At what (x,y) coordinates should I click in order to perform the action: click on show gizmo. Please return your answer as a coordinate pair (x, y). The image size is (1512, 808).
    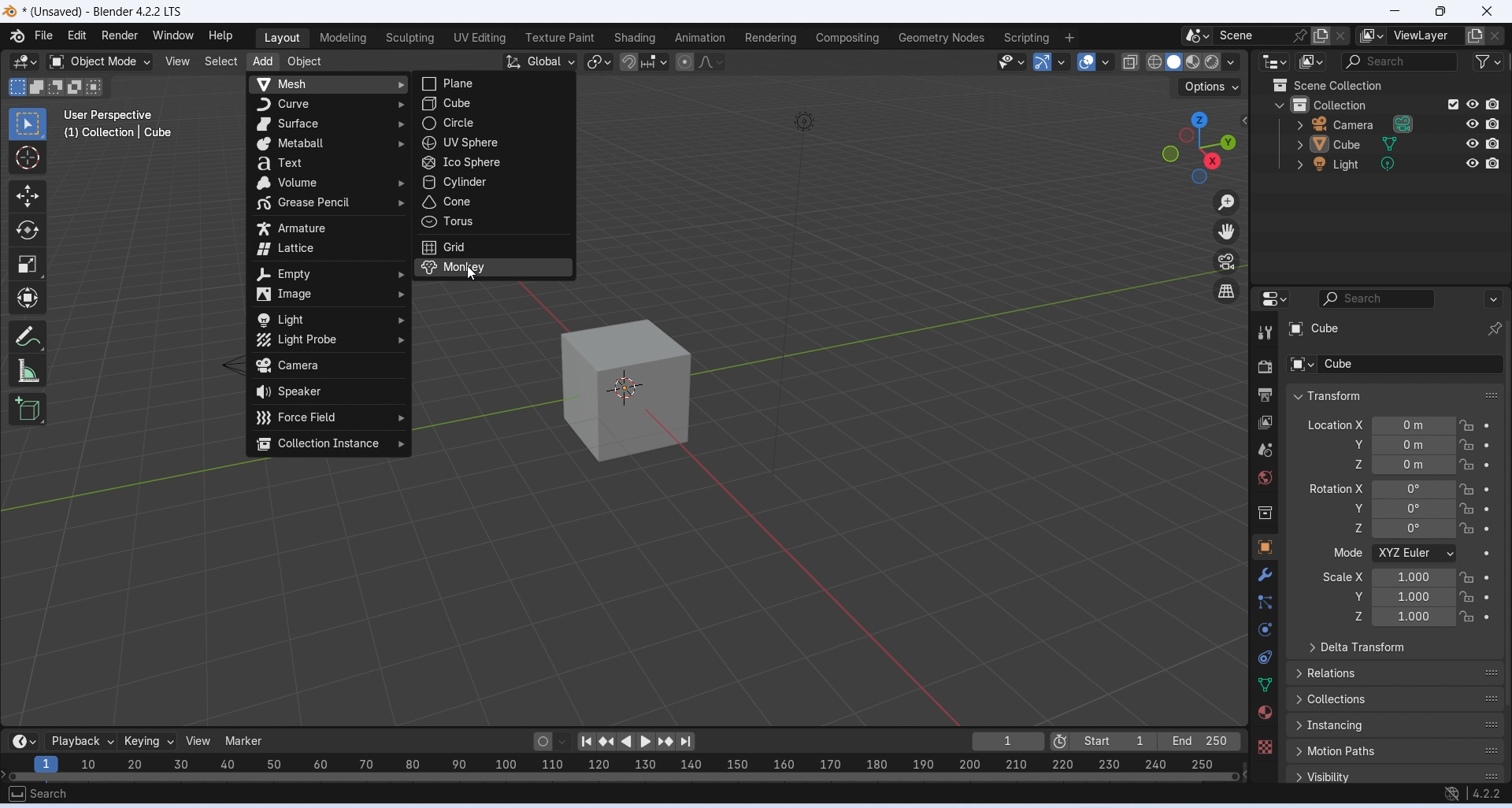
    Looking at the image, I should click on (1043, 61).